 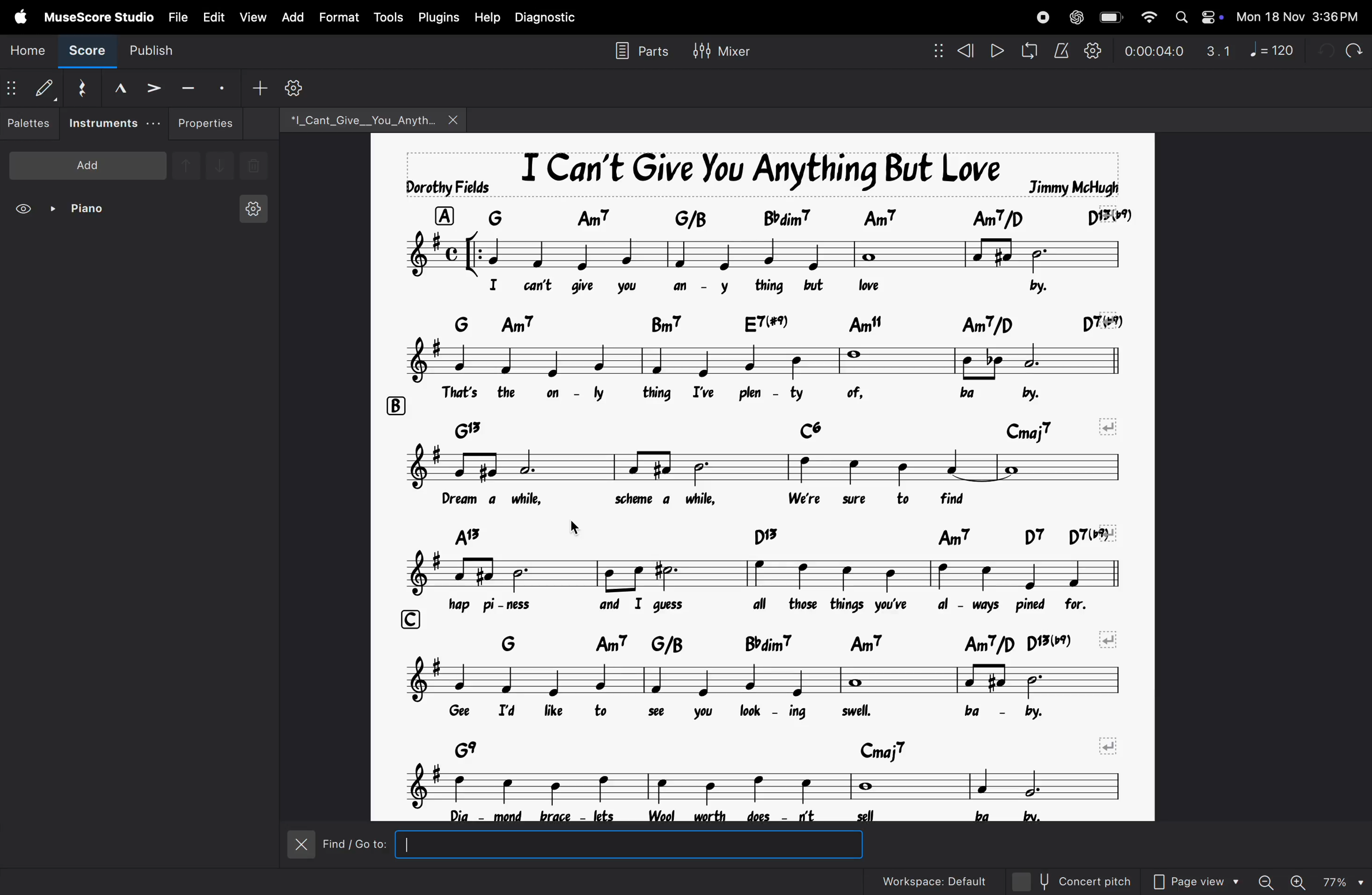 I want to click on lyrics, so click(x=762, y=287).